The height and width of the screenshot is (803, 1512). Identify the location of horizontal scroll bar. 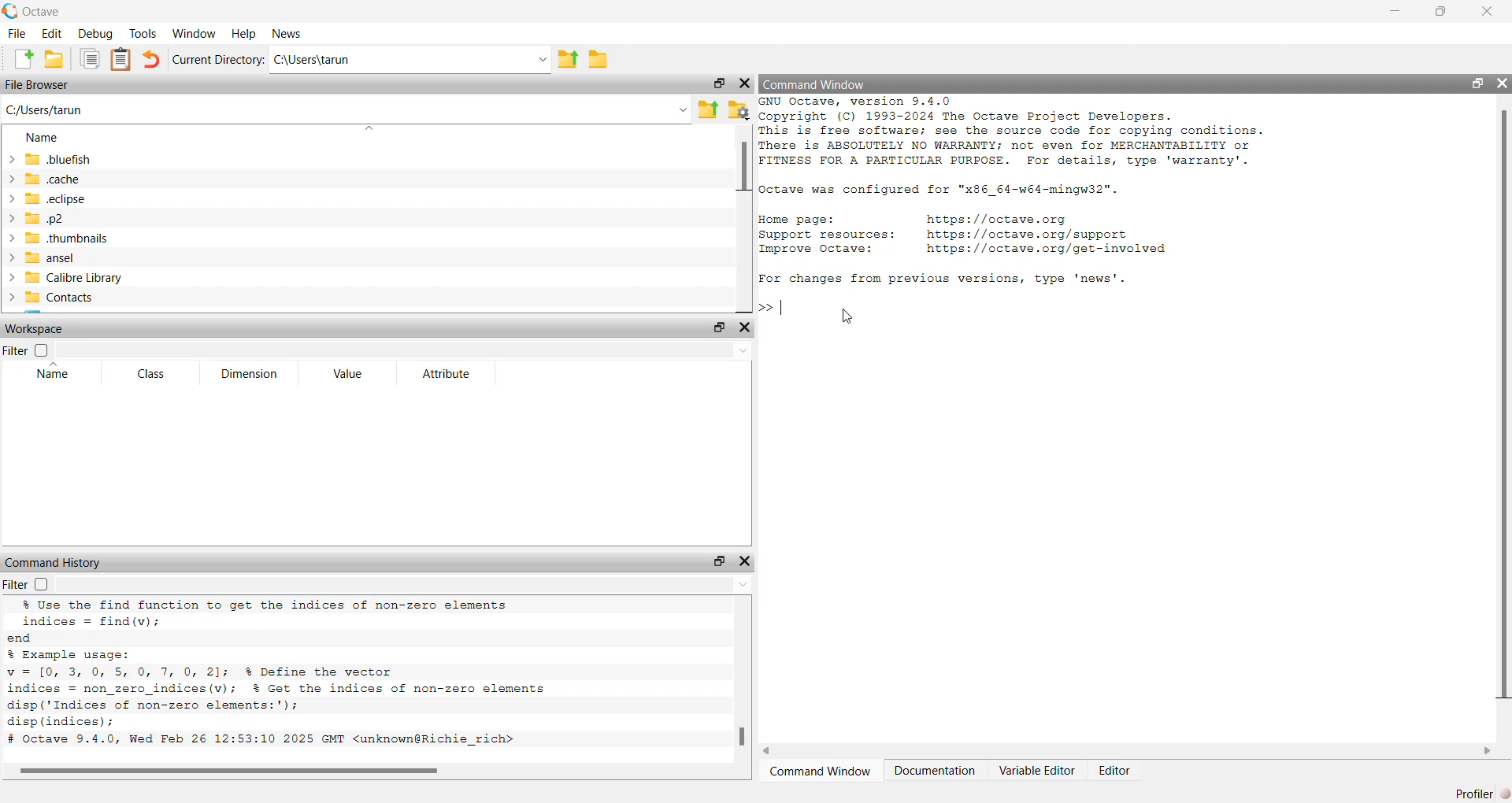
(1135, 751).